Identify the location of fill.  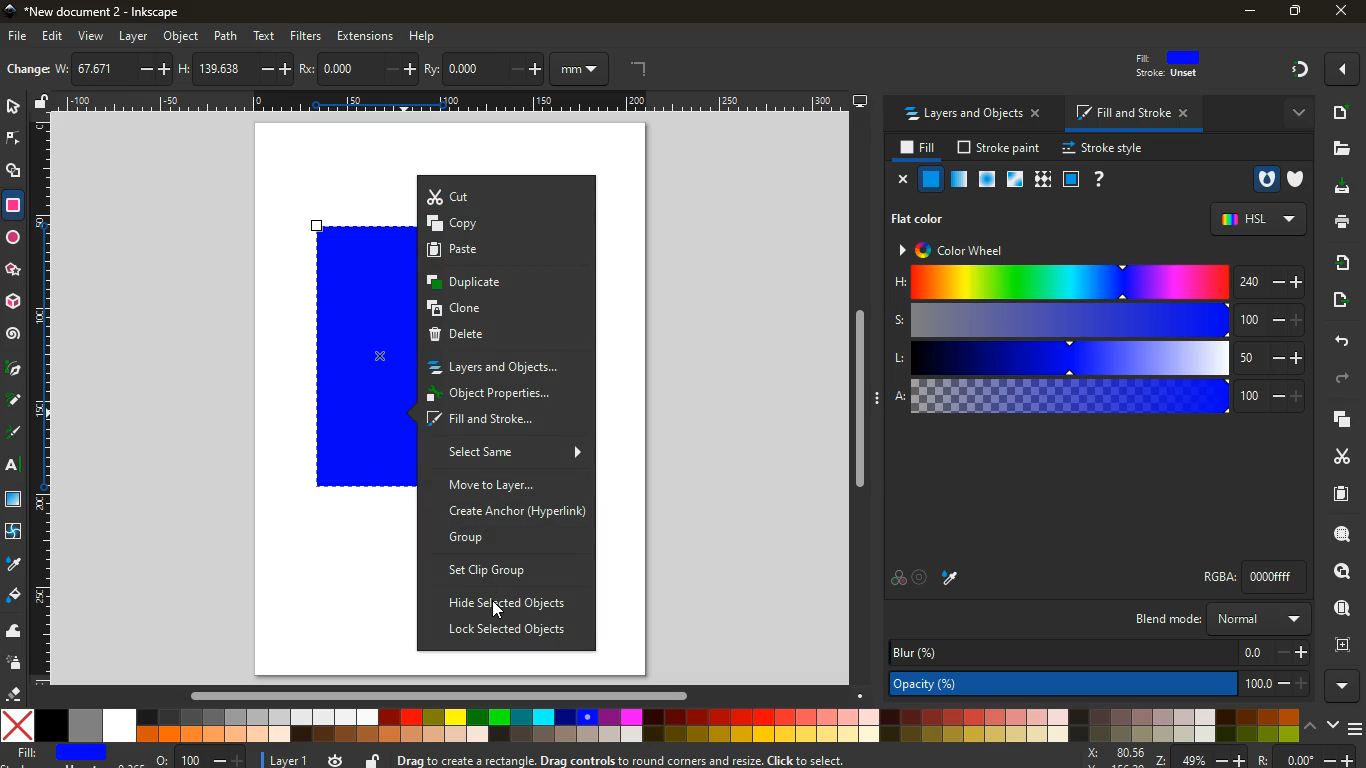
(1169, 64).